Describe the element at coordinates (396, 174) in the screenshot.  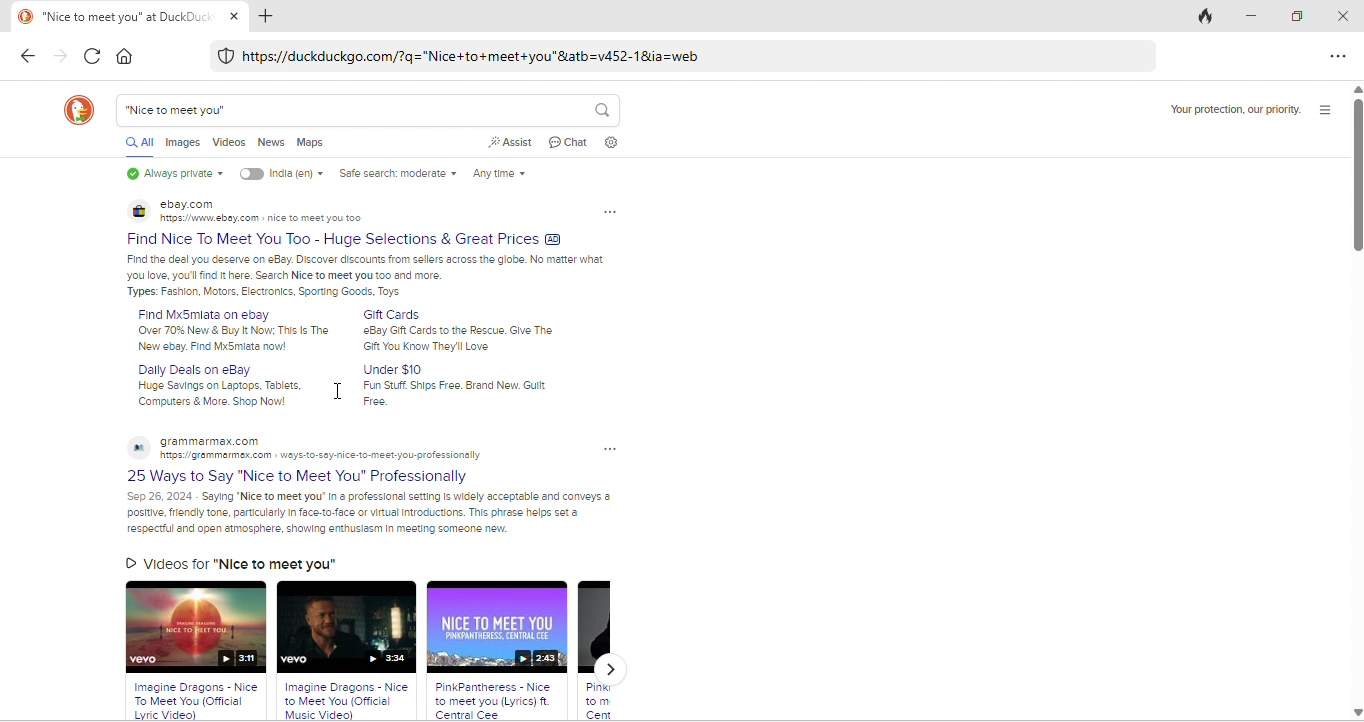
I see `safe search` at that location.